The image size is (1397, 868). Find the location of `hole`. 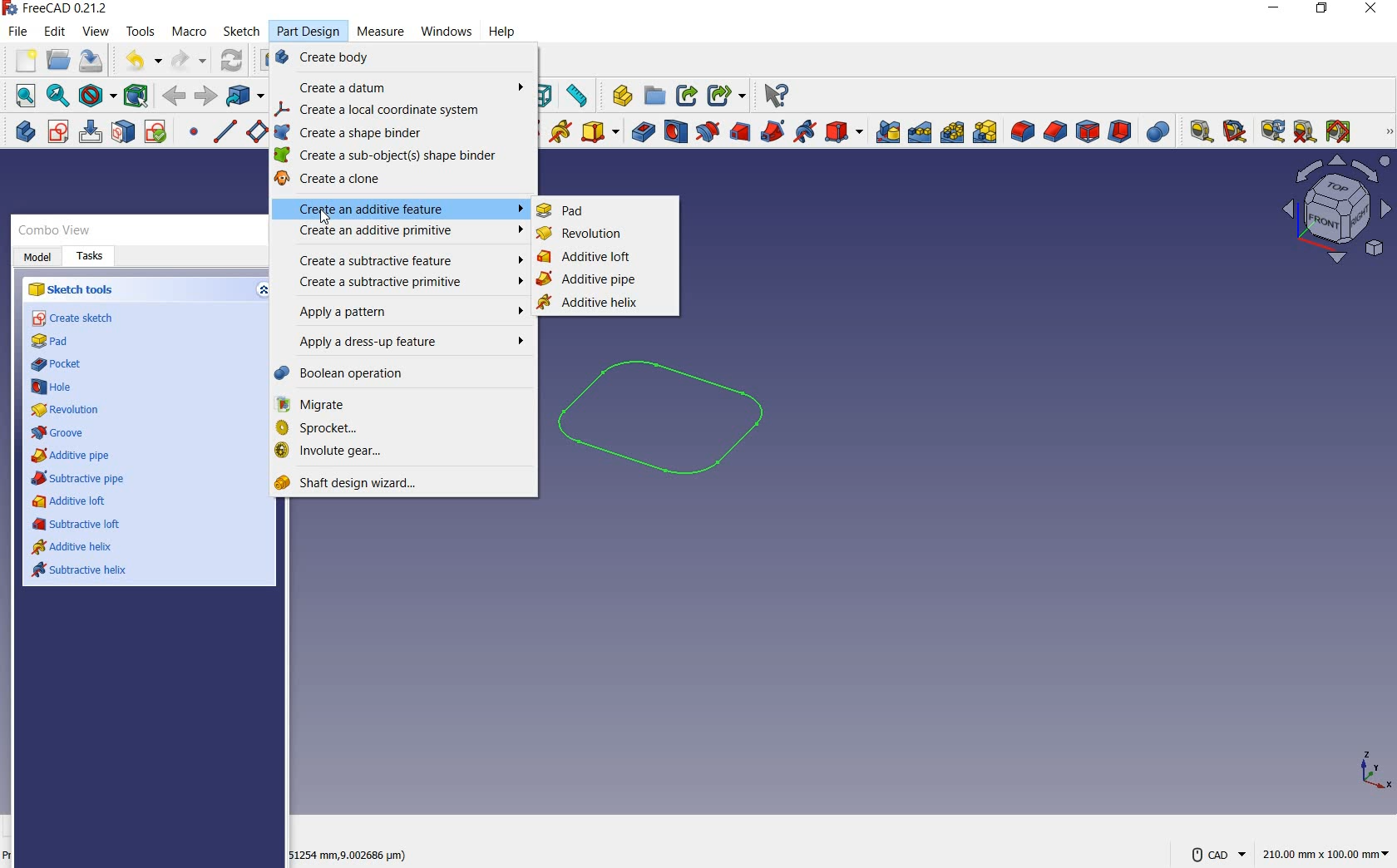

hole is located at coordinates (675, 132).